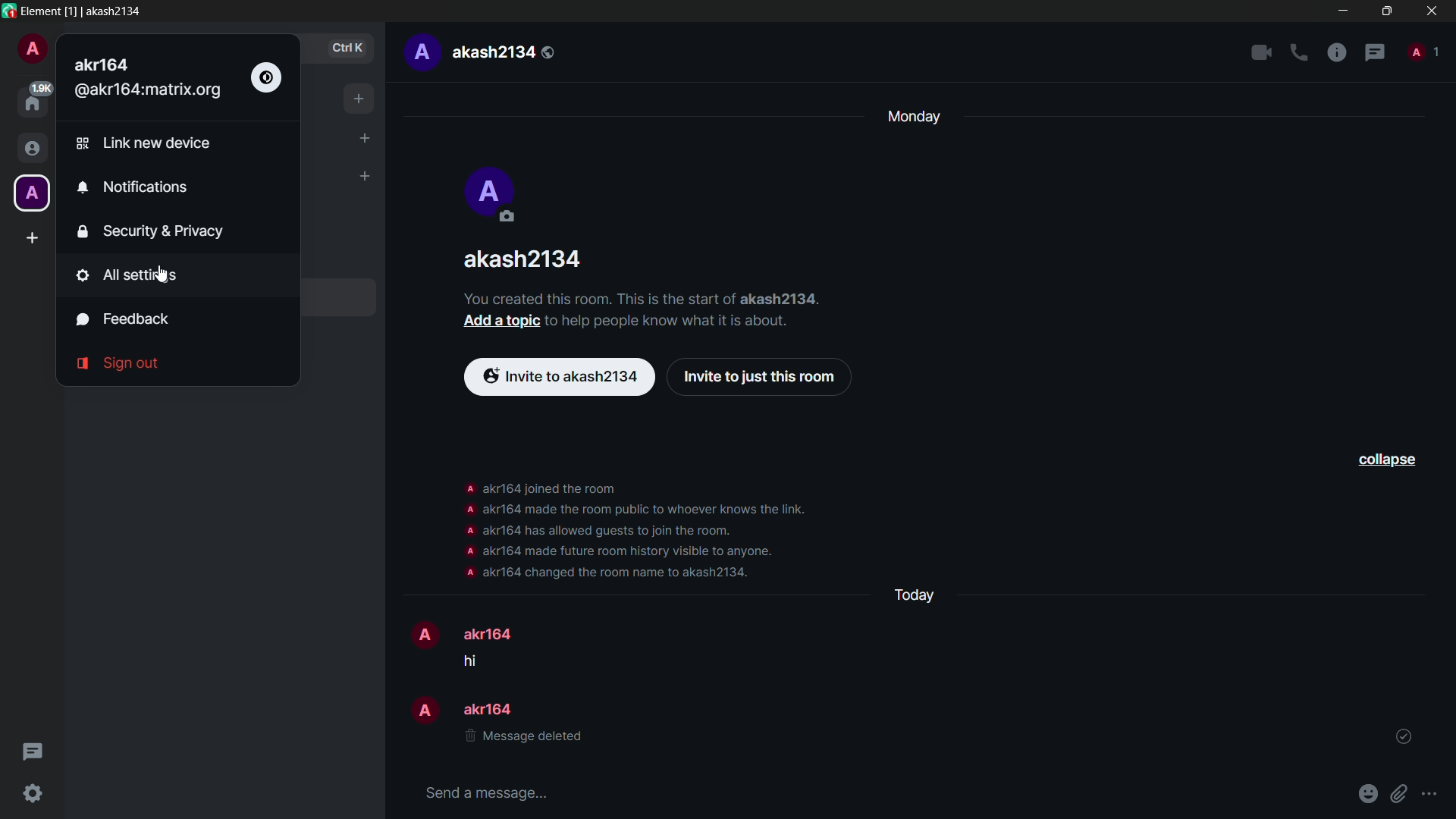 The height and width of the screenshot is (819, 1456). Describe the element at coordinates (630, 551) in the screenshot. I see `akr164 made future room visible to anyone.` at that location.